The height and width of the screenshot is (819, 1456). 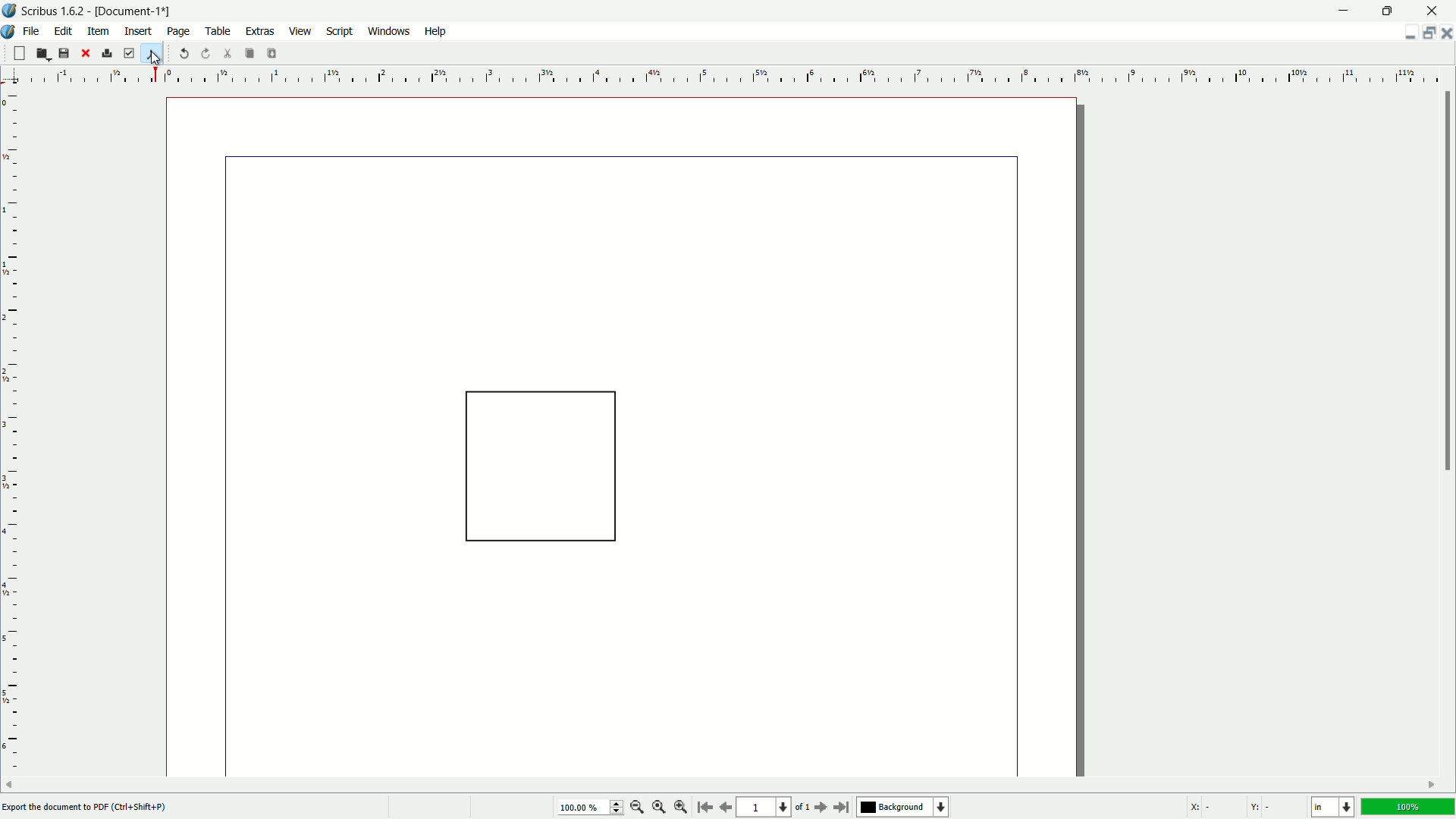 What do you see at coordinates (155, 61) in the screenshot?
I see `cursor` at bounding box center [155, 61].